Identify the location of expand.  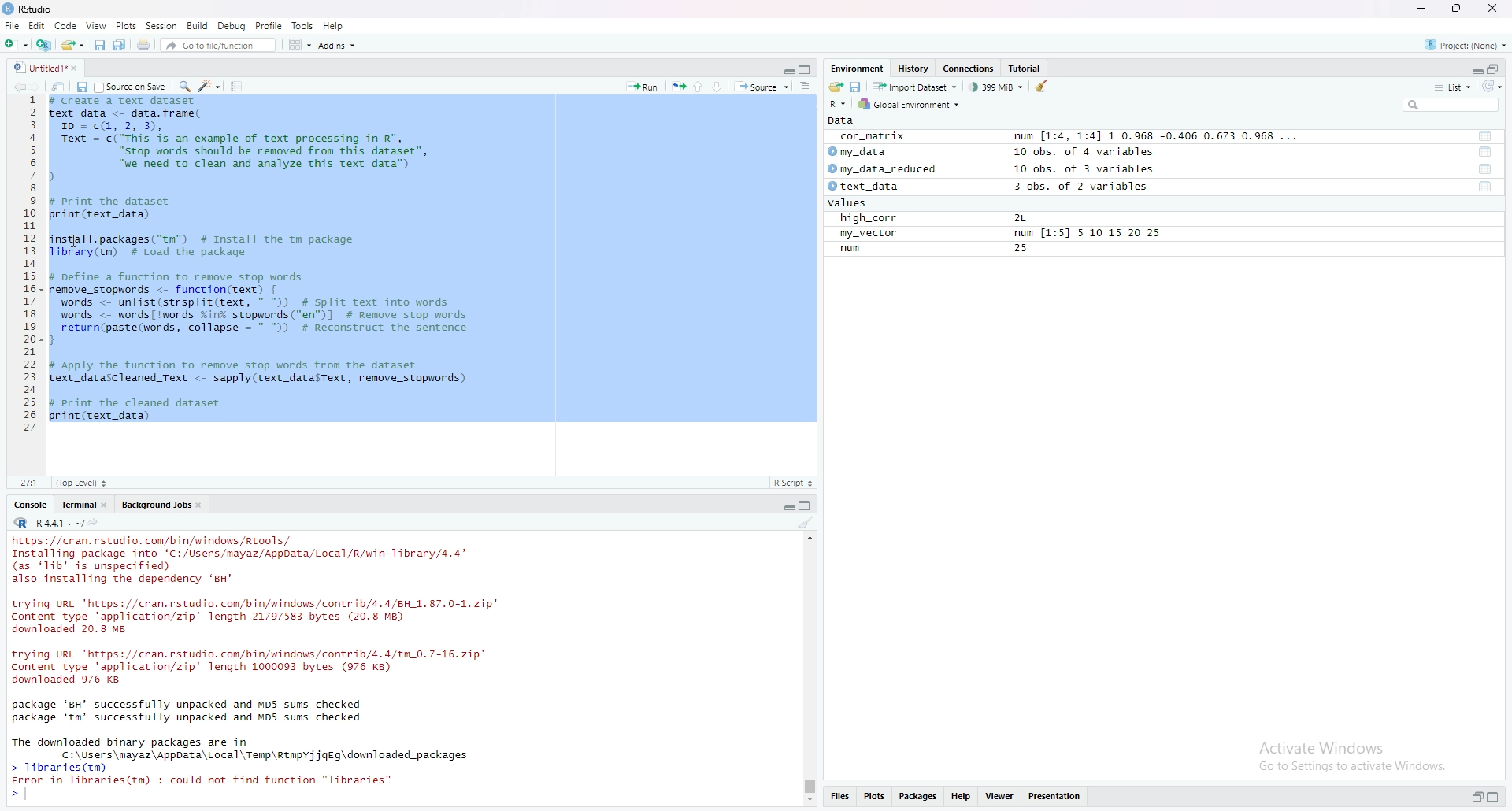
(787, 508).